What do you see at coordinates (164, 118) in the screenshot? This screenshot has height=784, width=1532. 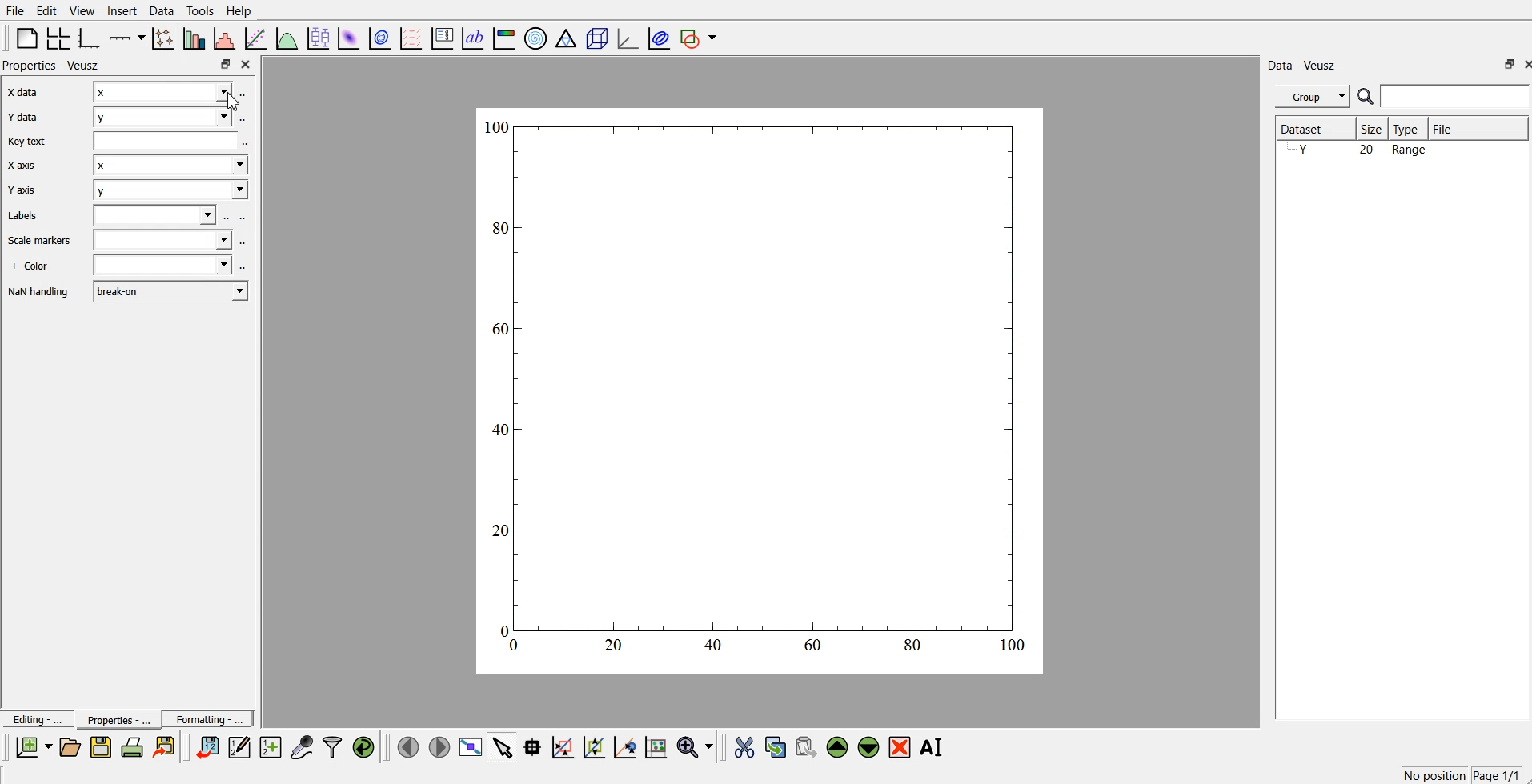 I see `y` at bounding box center [164, 118].